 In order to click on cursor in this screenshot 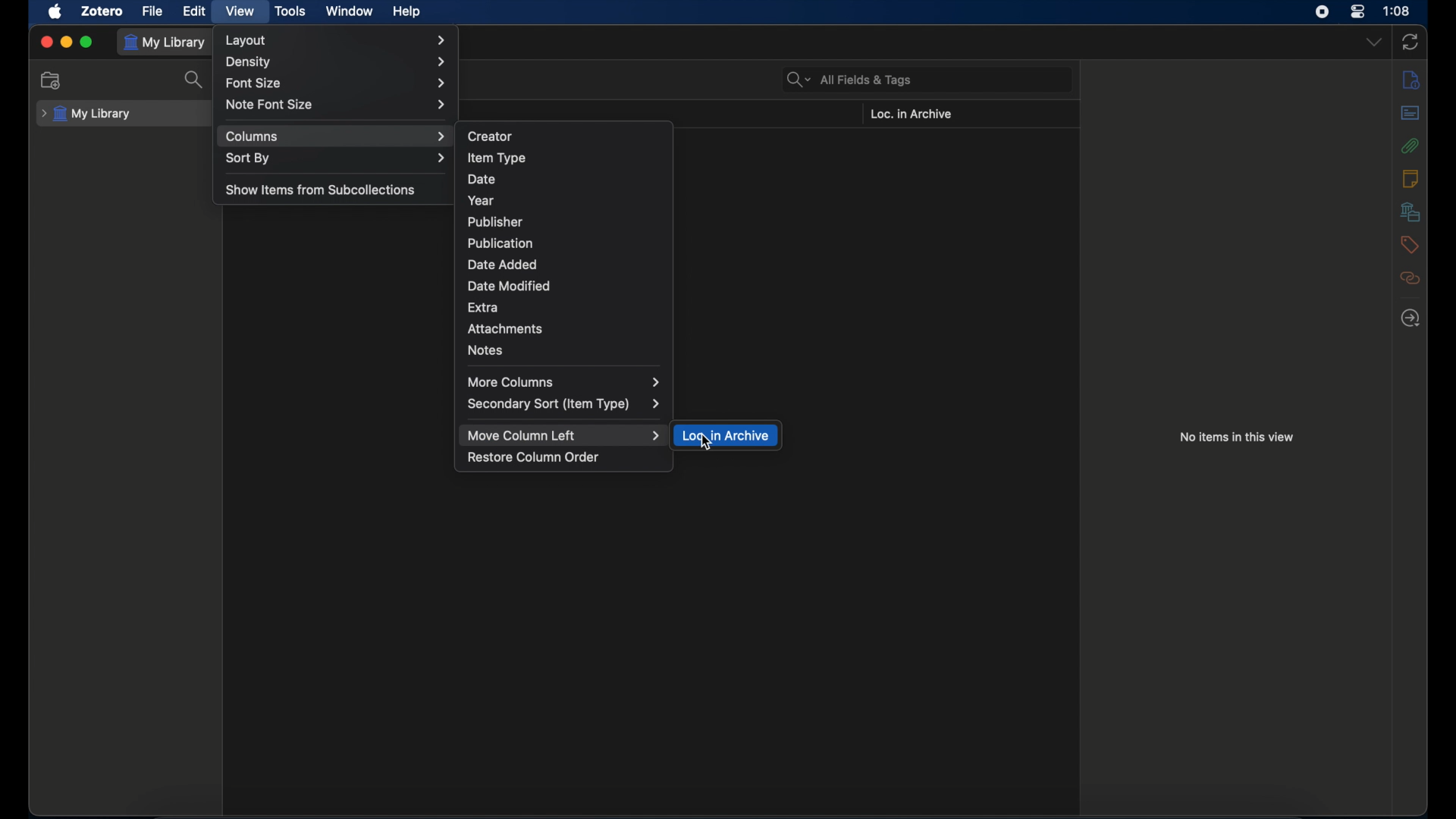, I will do `click(706, 443)`.